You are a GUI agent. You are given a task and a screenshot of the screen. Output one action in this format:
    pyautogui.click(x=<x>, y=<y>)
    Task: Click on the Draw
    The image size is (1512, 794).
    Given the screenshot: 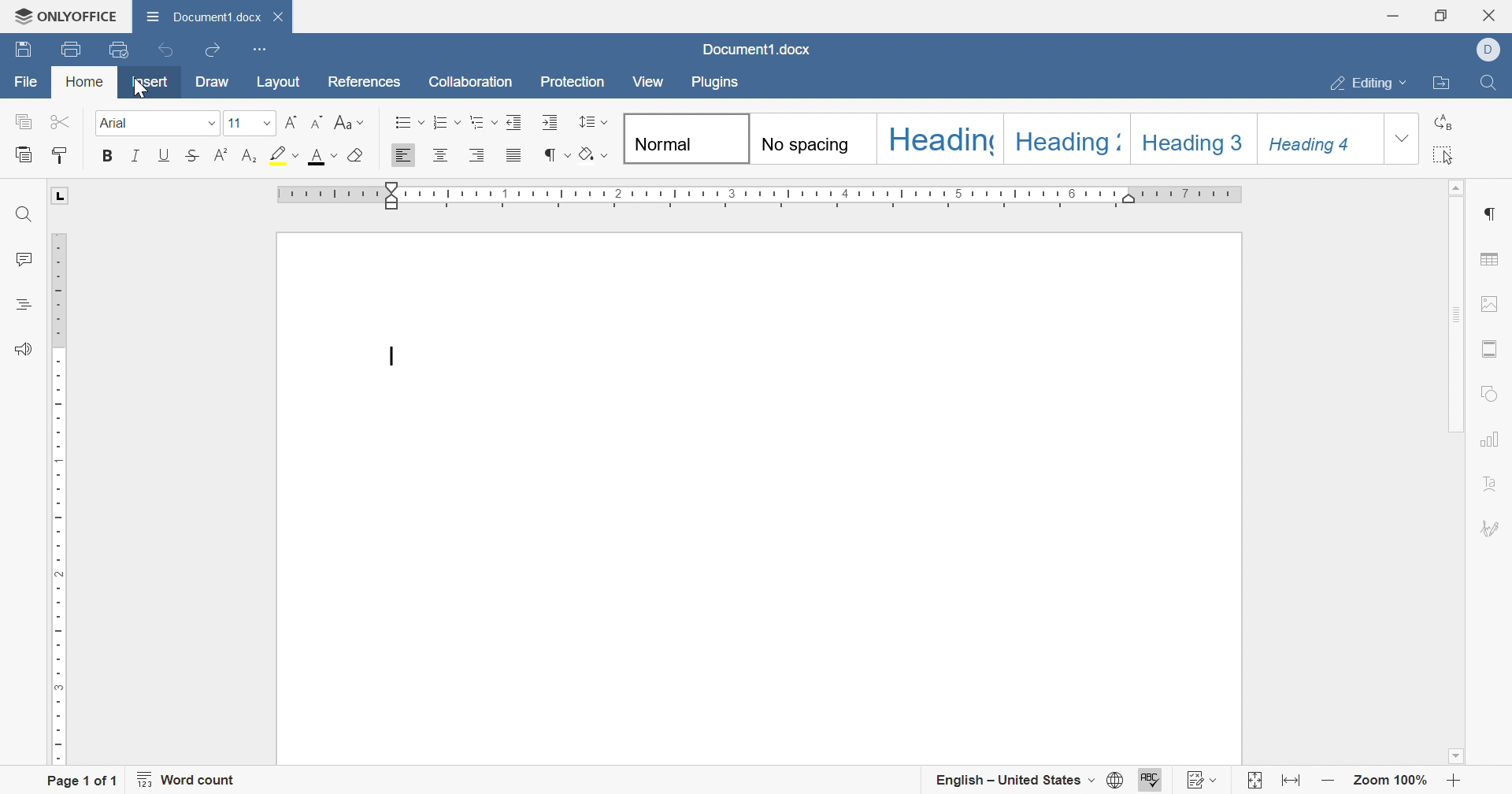 What is the action you would take?
    pyautogui.click(x=214, y=80)
    